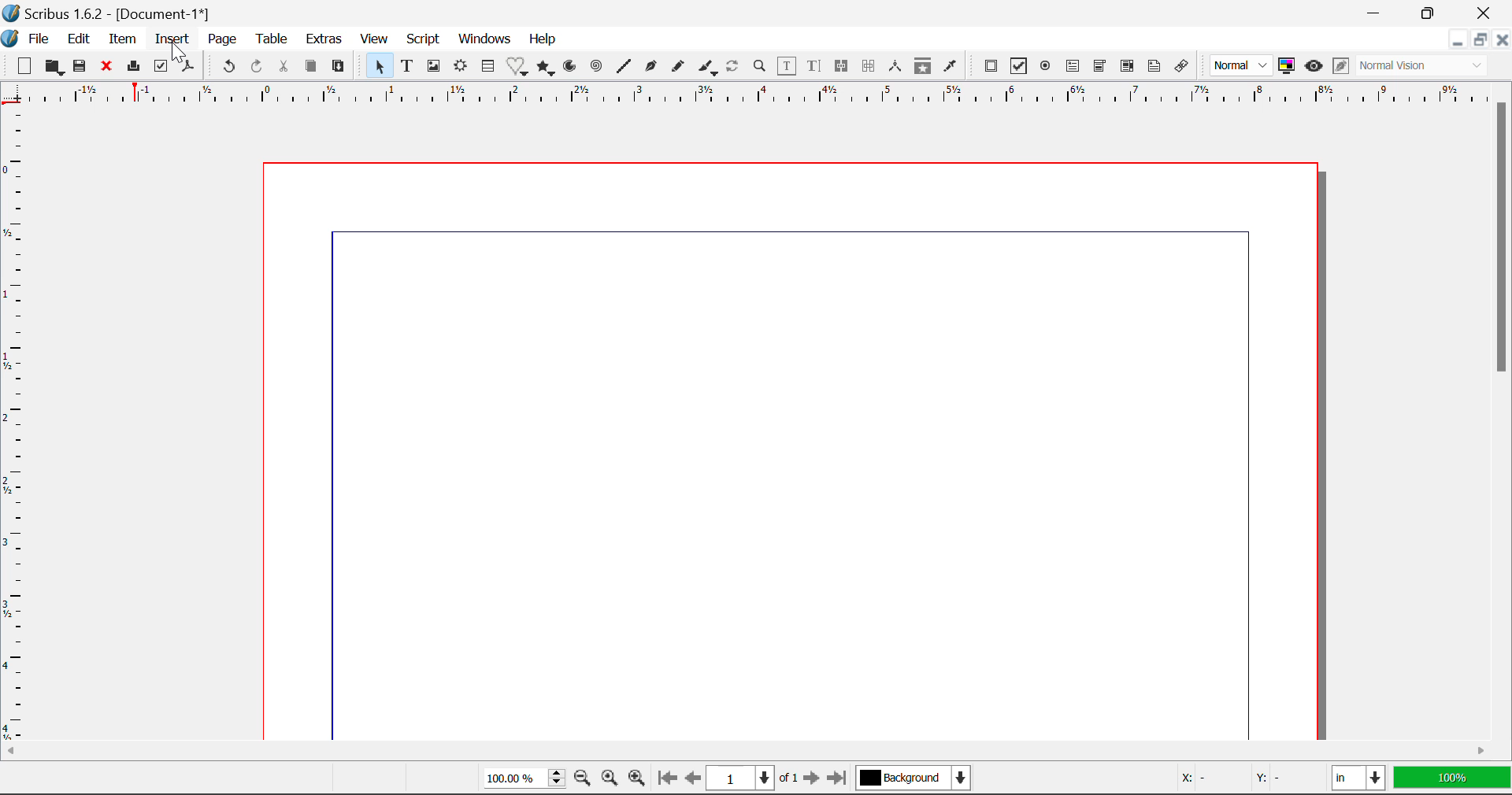  I want to click on Save as Pdf, so click(187, 68).